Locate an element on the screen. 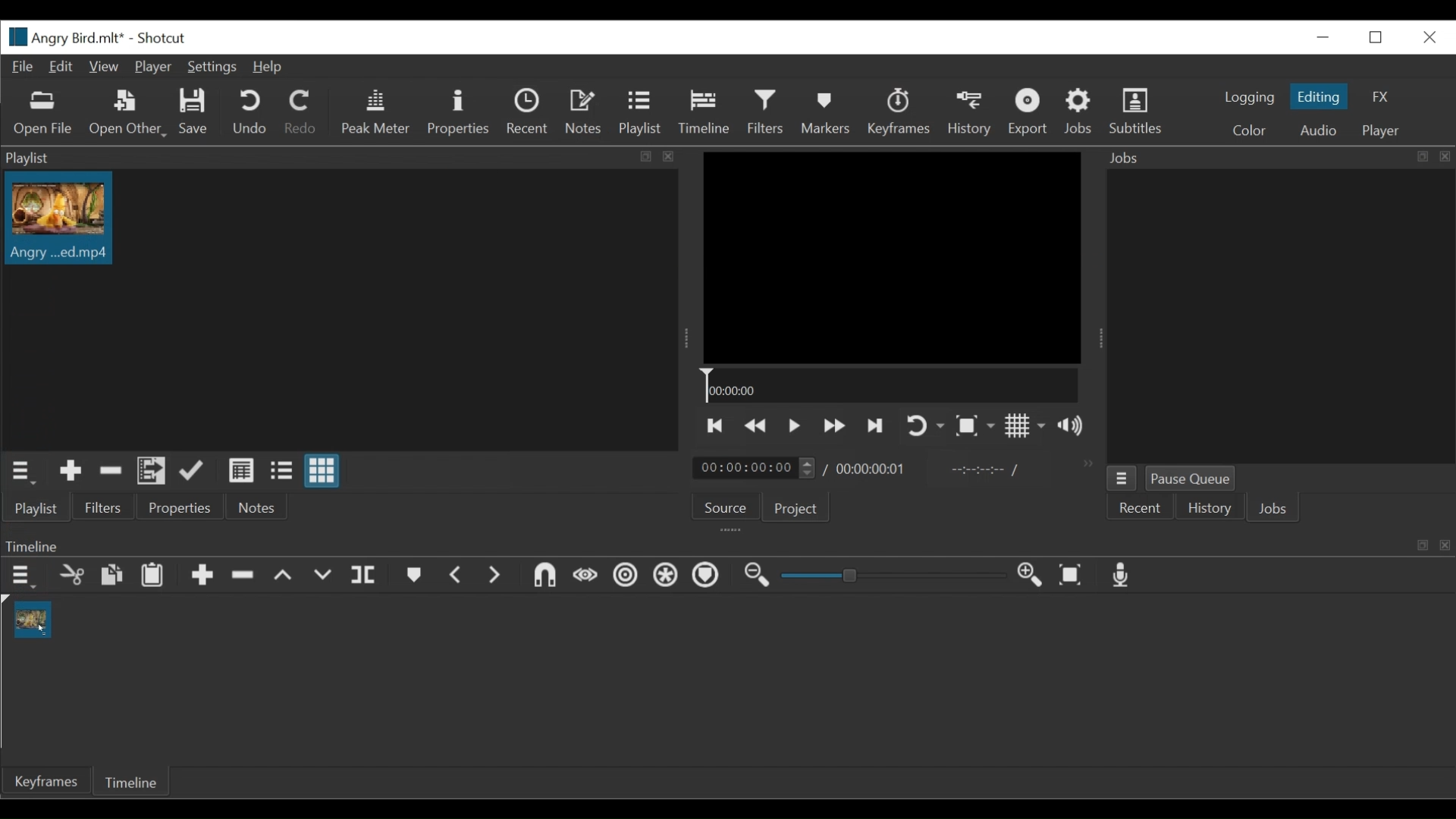 The image size is (1456, 819). Play forward quickly is located at coordinates (836, 426).